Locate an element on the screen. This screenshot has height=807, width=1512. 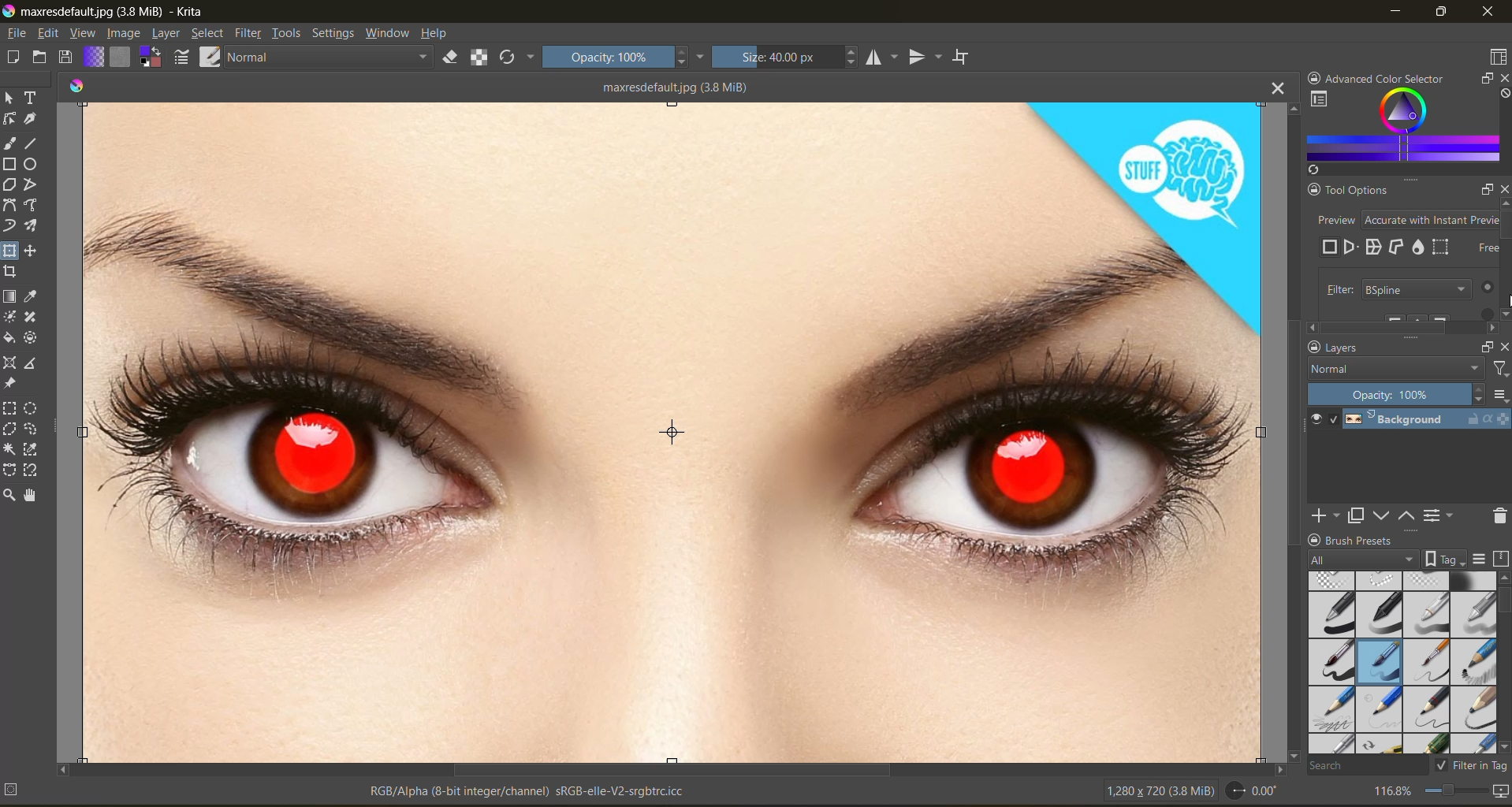
horizontal mirror tool is located at coordinates (885, 58).